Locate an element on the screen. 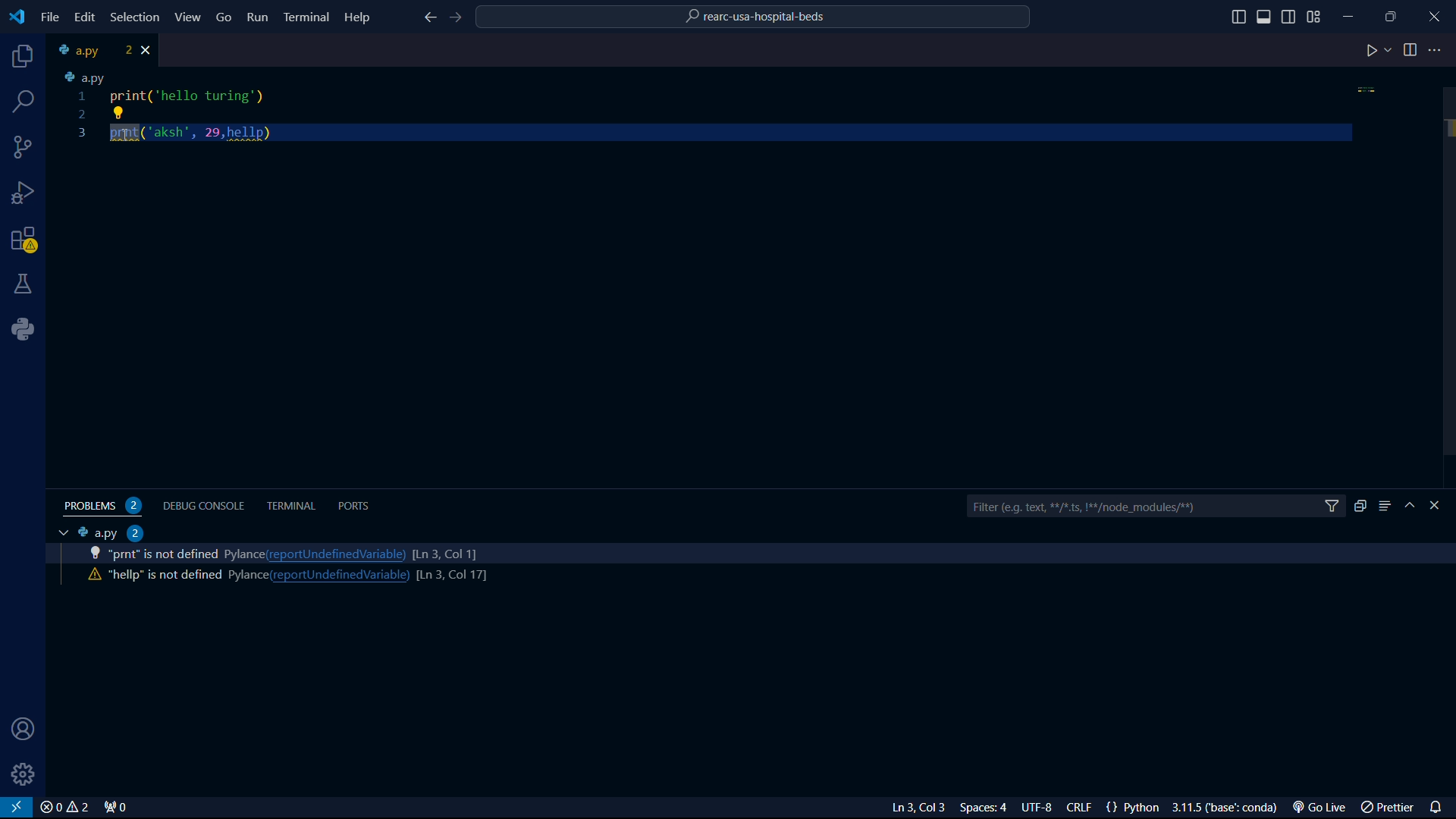  VS is located at coordinates (17, 808).